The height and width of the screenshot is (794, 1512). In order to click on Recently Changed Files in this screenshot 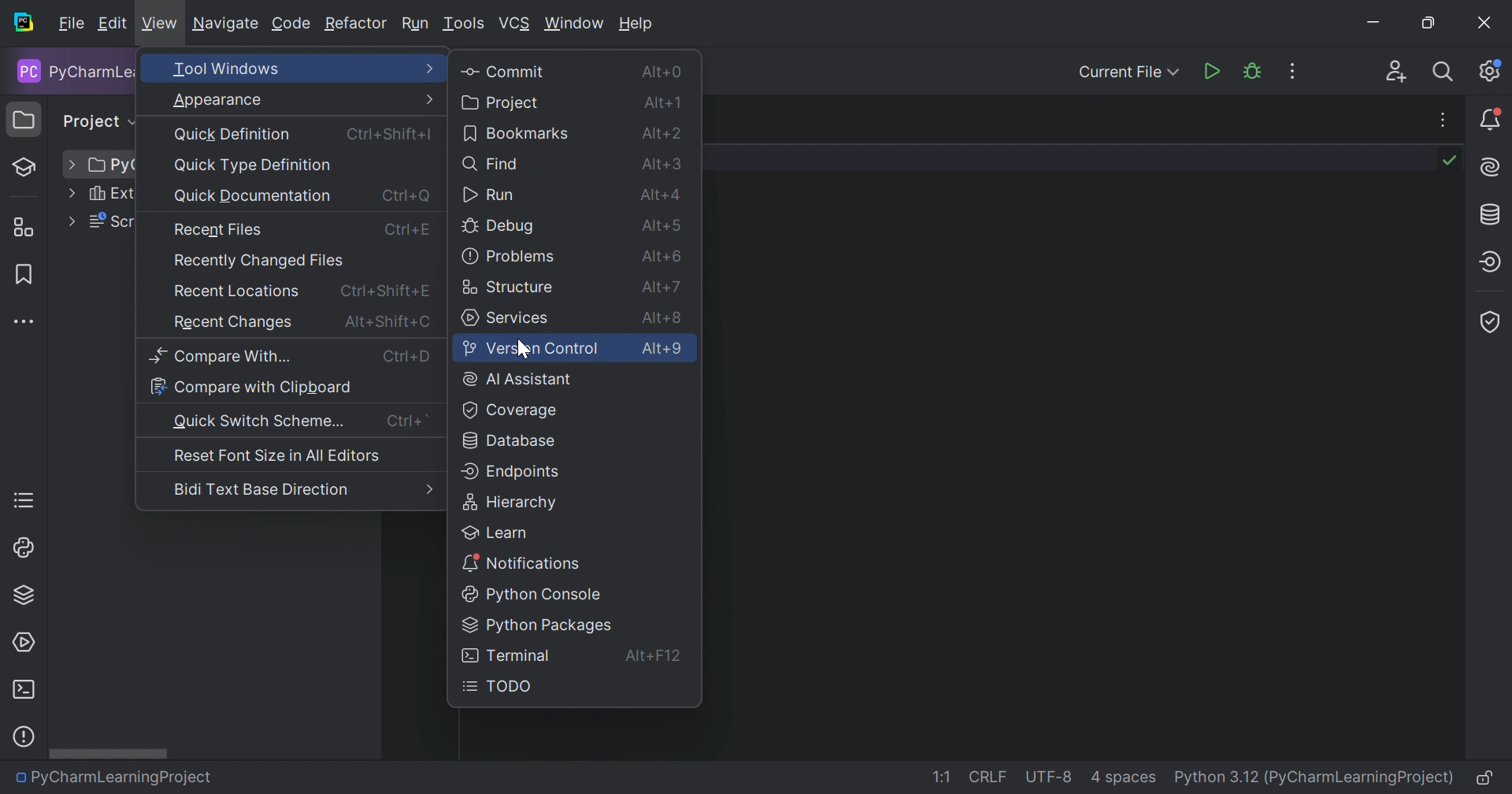, I will do `click(259, 261)`.